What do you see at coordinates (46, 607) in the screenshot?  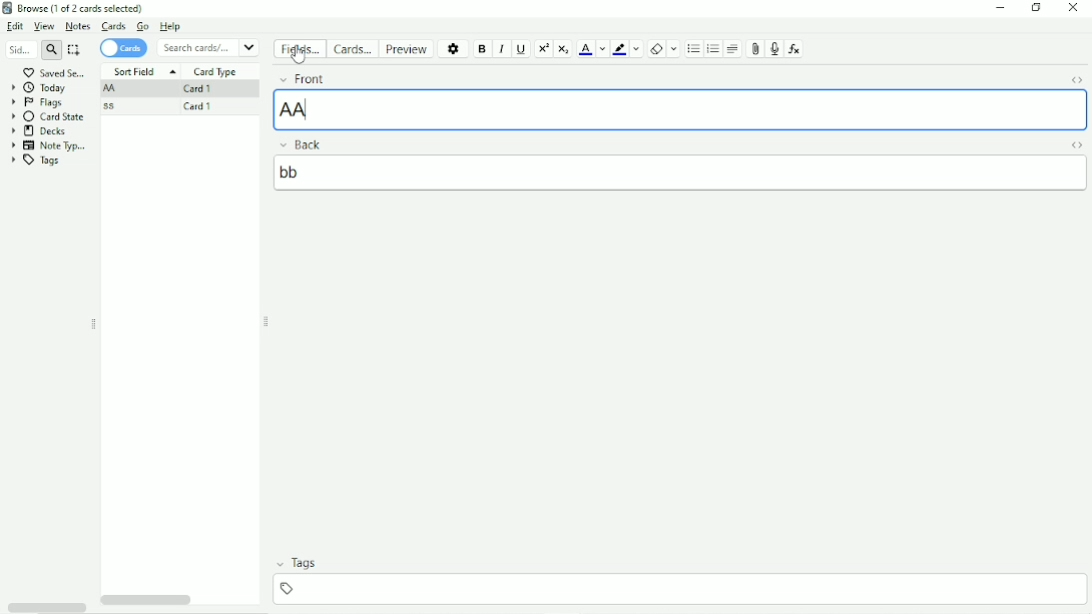 I see `Horizontal scrollbar` at bounding box center [46, 607].